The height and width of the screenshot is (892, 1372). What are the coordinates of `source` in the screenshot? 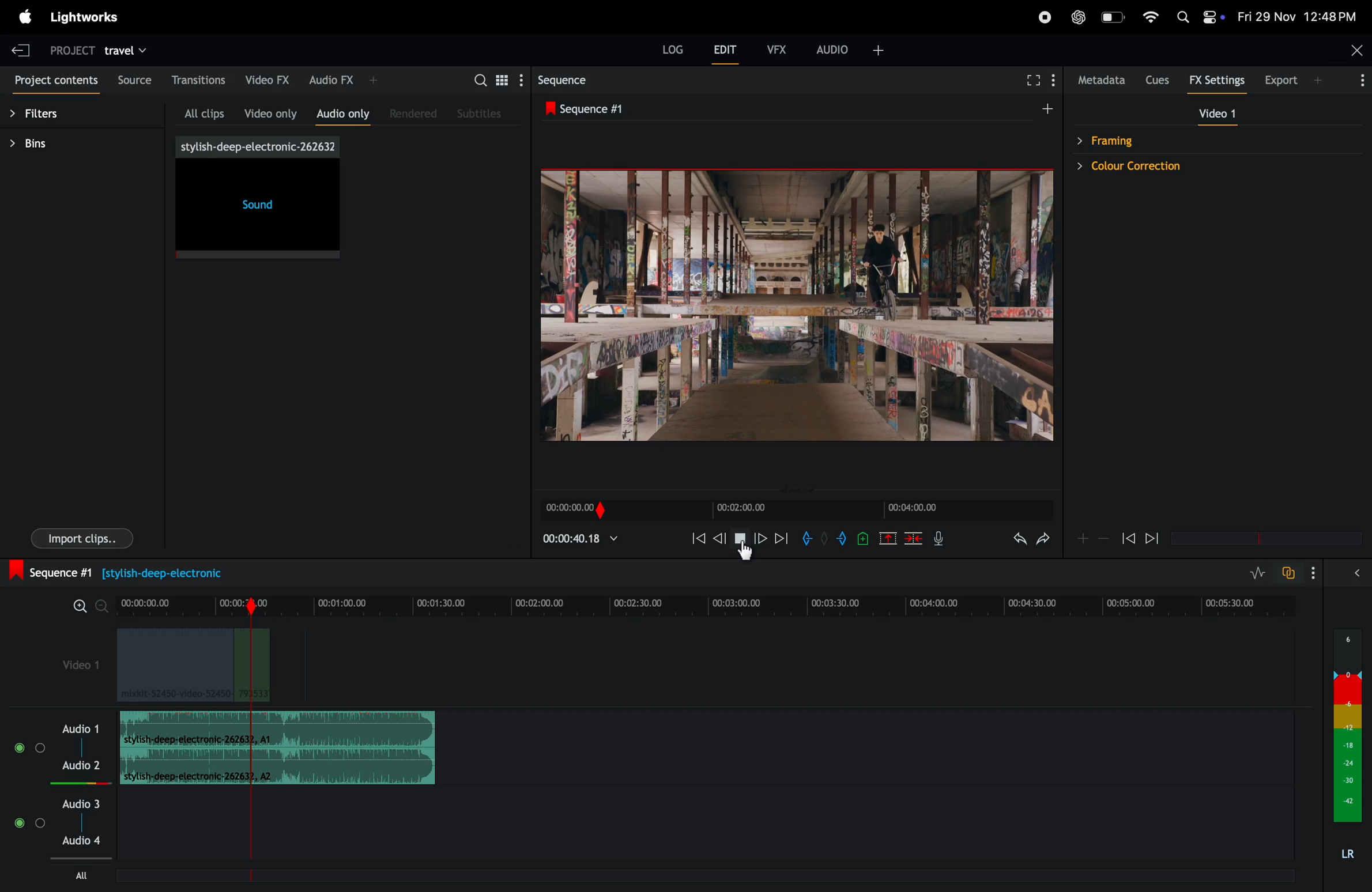 It's located at (133, 82).